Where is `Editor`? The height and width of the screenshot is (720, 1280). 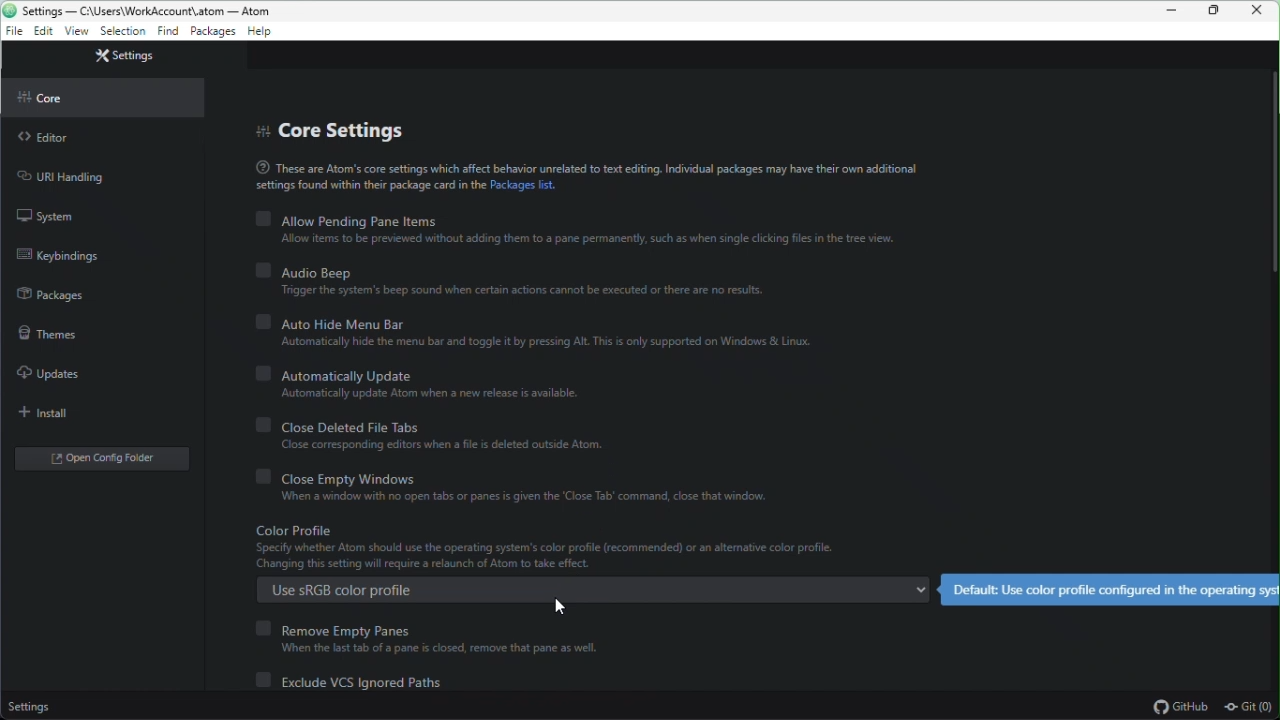
Editor is located at coordinates (50, 139).